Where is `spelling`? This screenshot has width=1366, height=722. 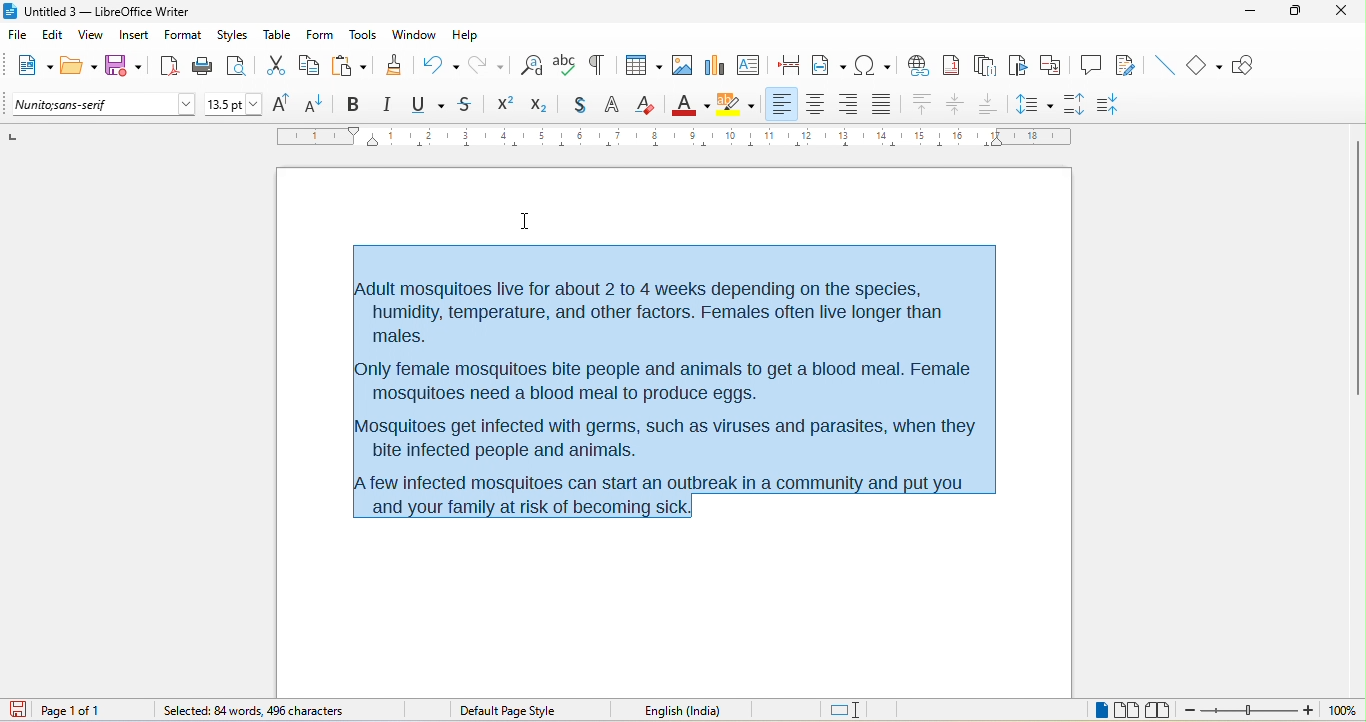
spelling is located at coordinates (565, 63).